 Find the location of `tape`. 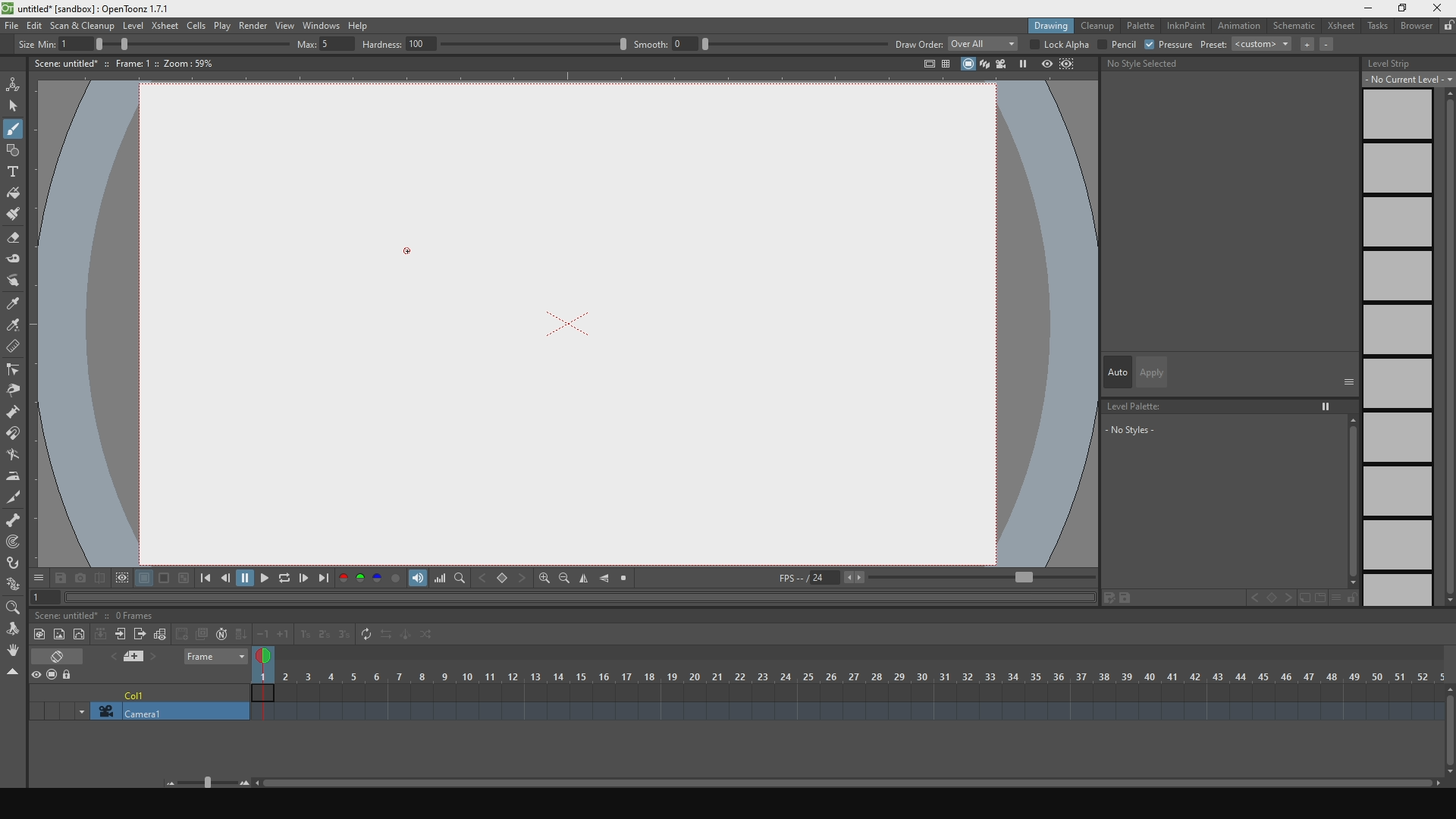

tape is located at coordinates (15, 262).